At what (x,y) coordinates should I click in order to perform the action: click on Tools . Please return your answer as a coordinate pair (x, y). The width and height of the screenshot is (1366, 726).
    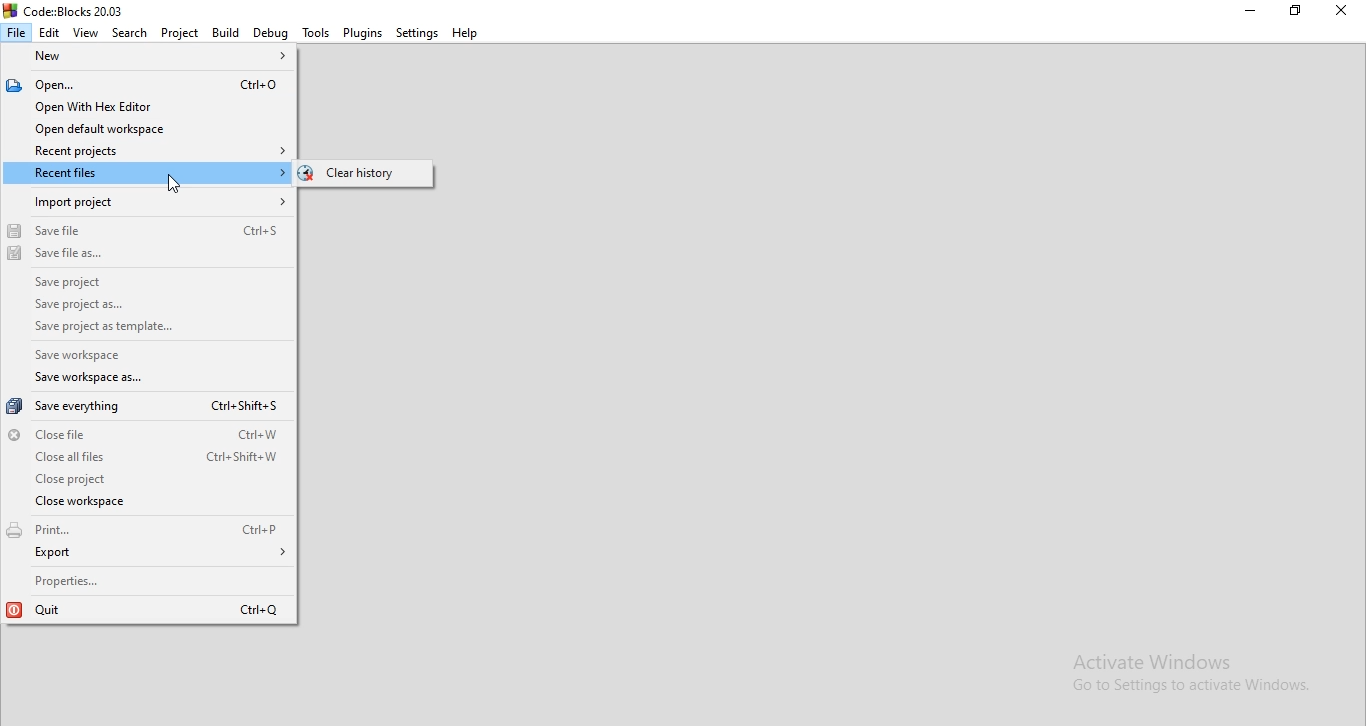
    Looking at the image, I should click on (313, 33).